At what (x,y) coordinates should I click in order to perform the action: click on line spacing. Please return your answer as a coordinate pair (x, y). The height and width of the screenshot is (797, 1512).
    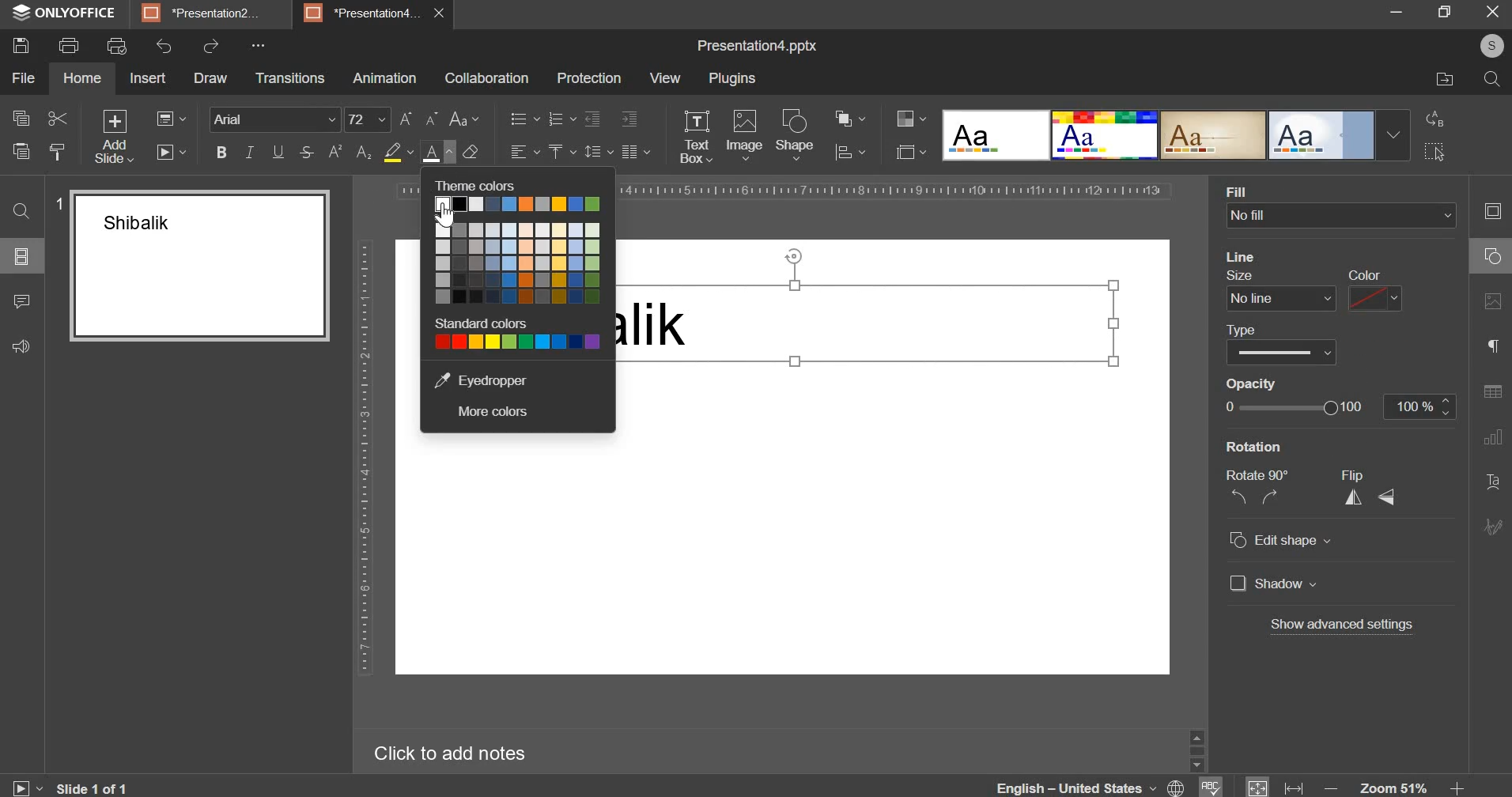
    Looking at the image, I should click on (599, 152).